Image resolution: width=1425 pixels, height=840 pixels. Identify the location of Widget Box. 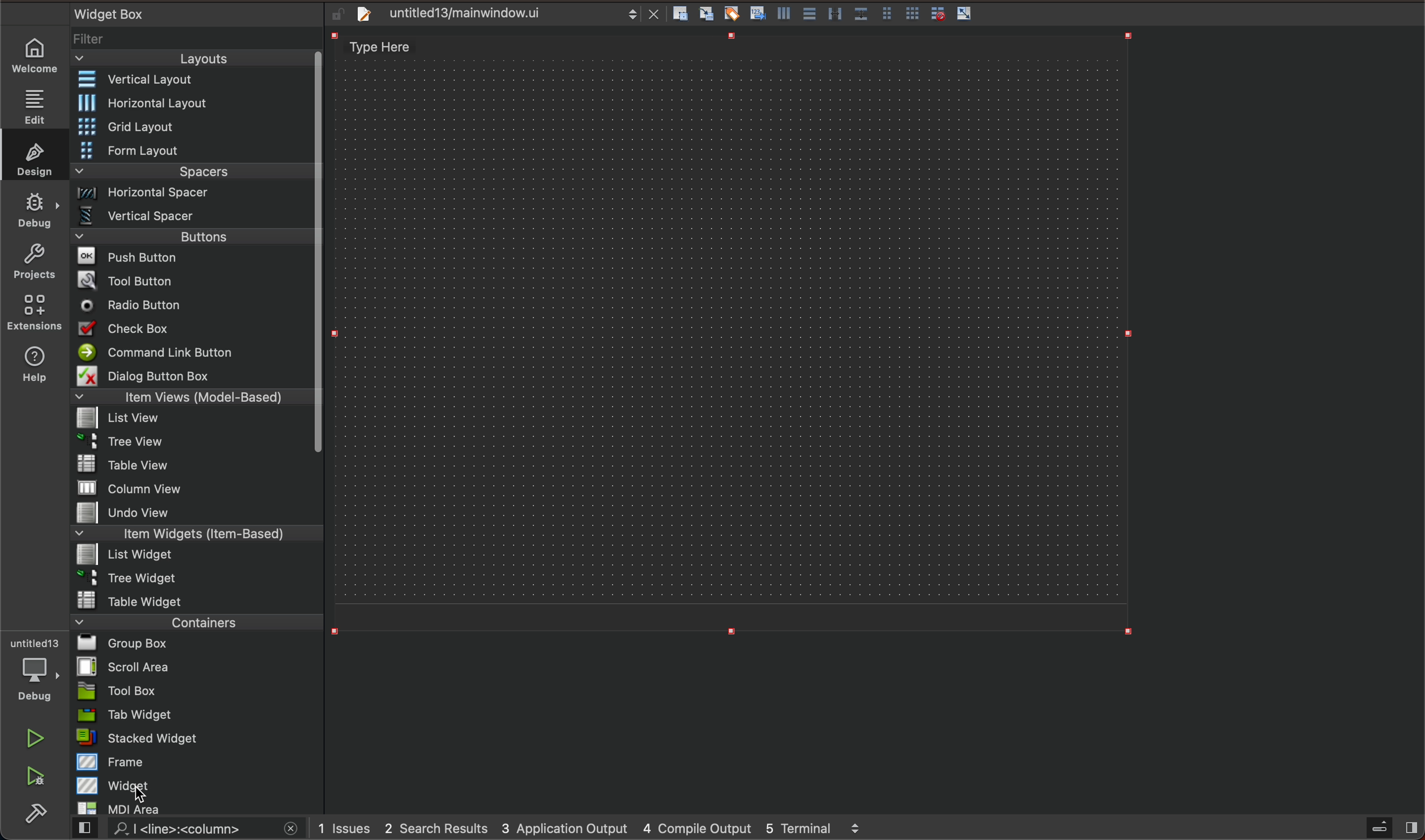
(122, 14).